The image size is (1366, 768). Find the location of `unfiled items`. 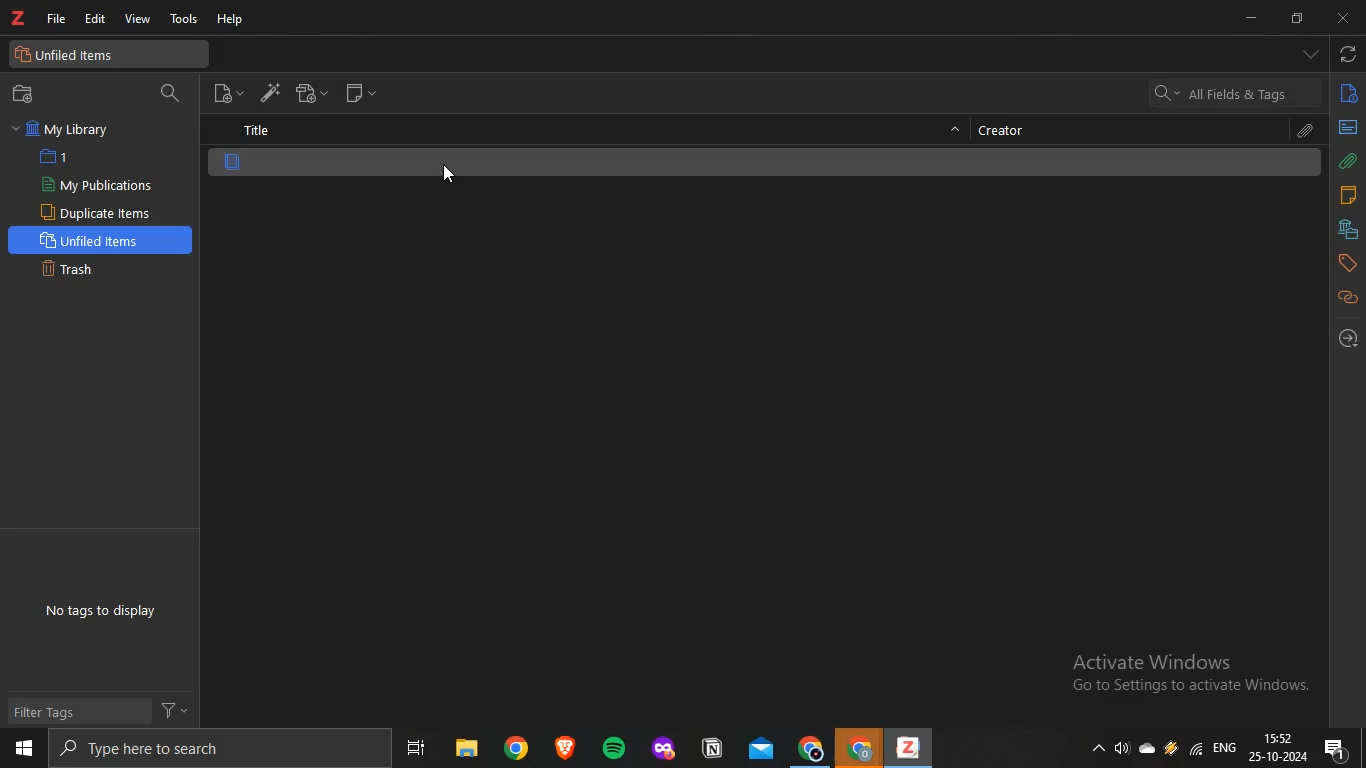

unfiled items is located at coordinates (71, 55).